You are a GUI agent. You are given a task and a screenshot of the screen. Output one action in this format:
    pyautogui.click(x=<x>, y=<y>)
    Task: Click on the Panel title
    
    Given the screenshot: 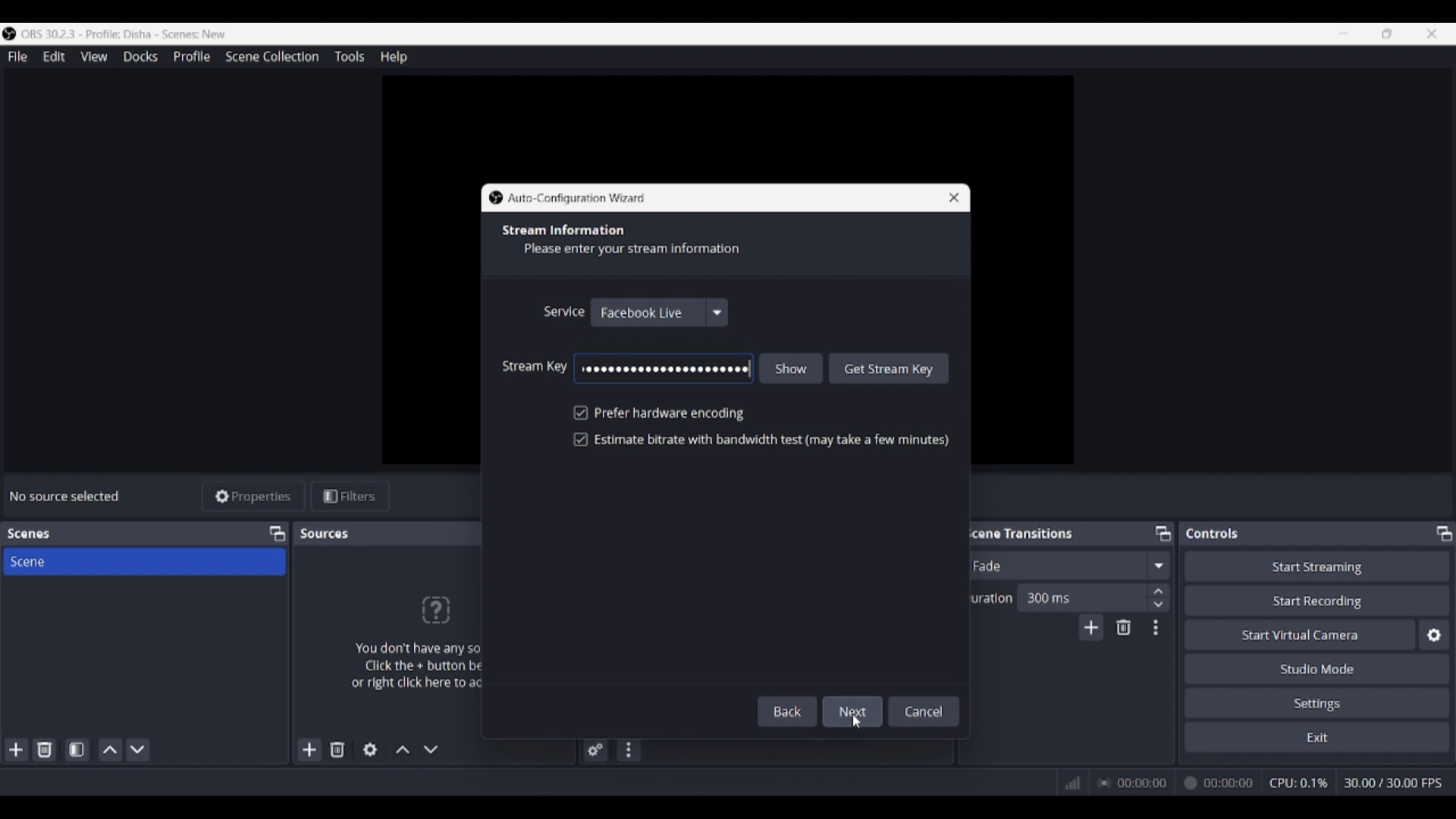 What is the action you would take?
    pyautogui.click(x=29, y=534)
    